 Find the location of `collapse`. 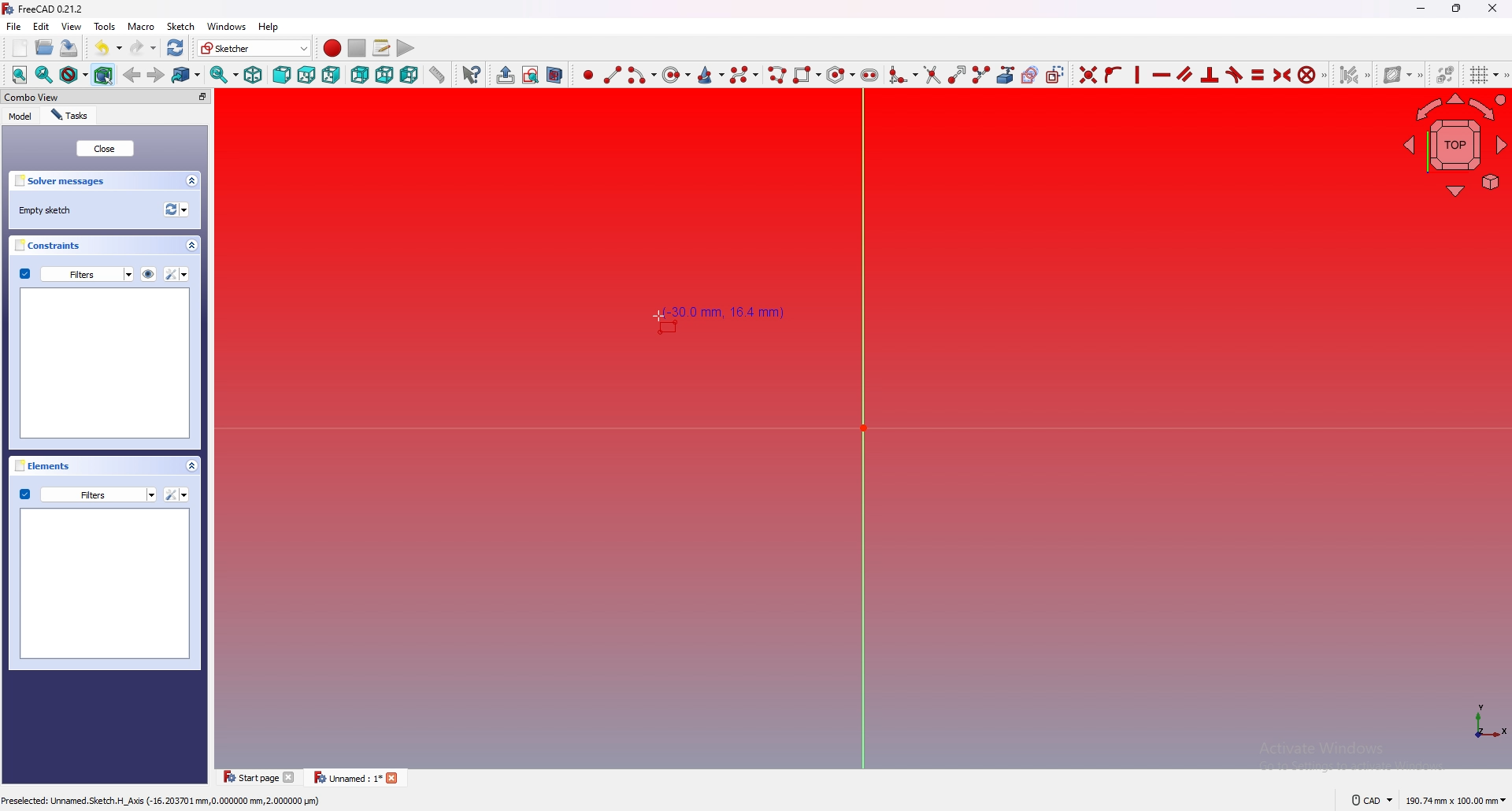

collapse is located at coordinates (191, 181).